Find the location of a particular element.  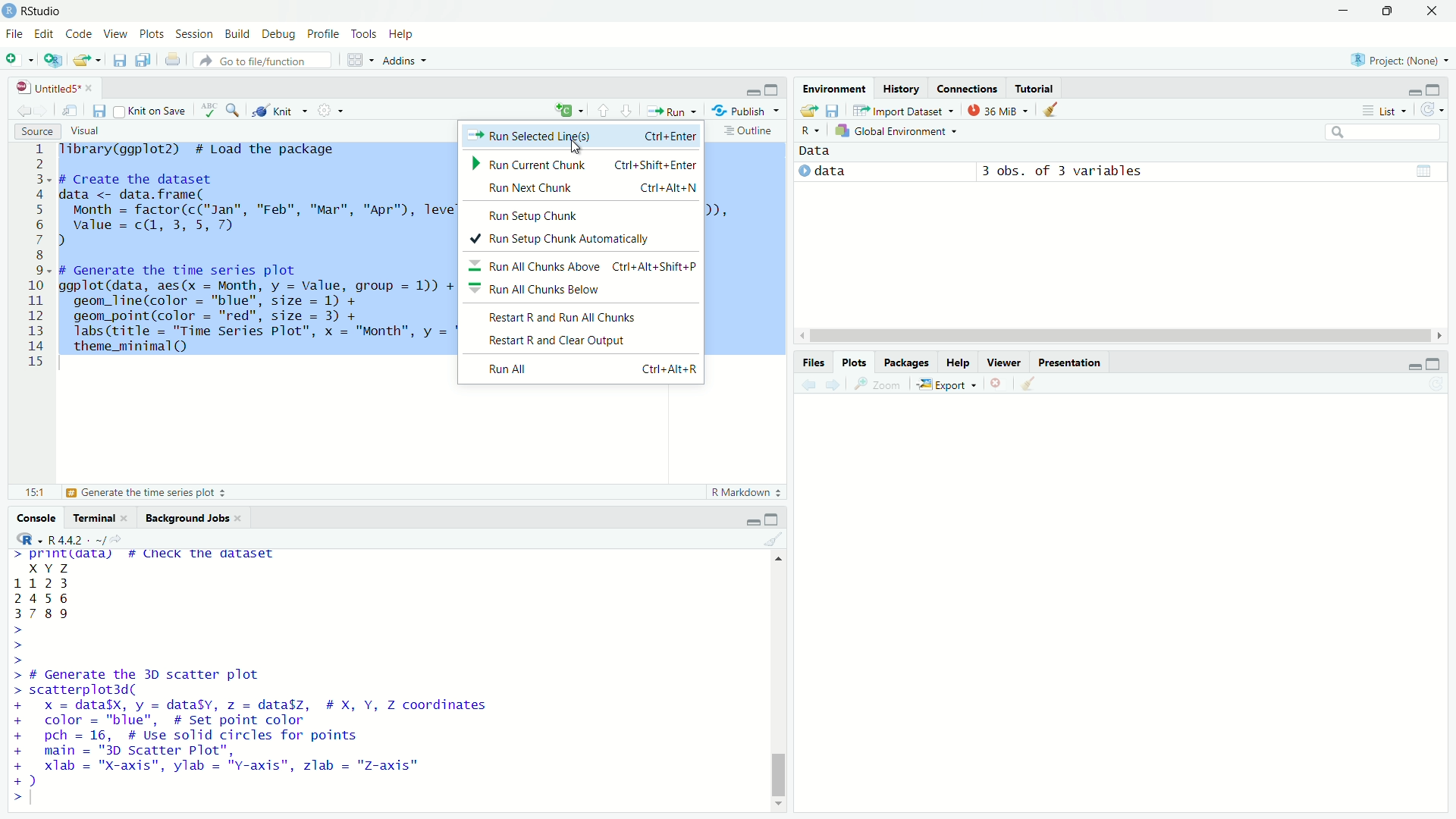

viewer is located at coordinates (1004, 359).